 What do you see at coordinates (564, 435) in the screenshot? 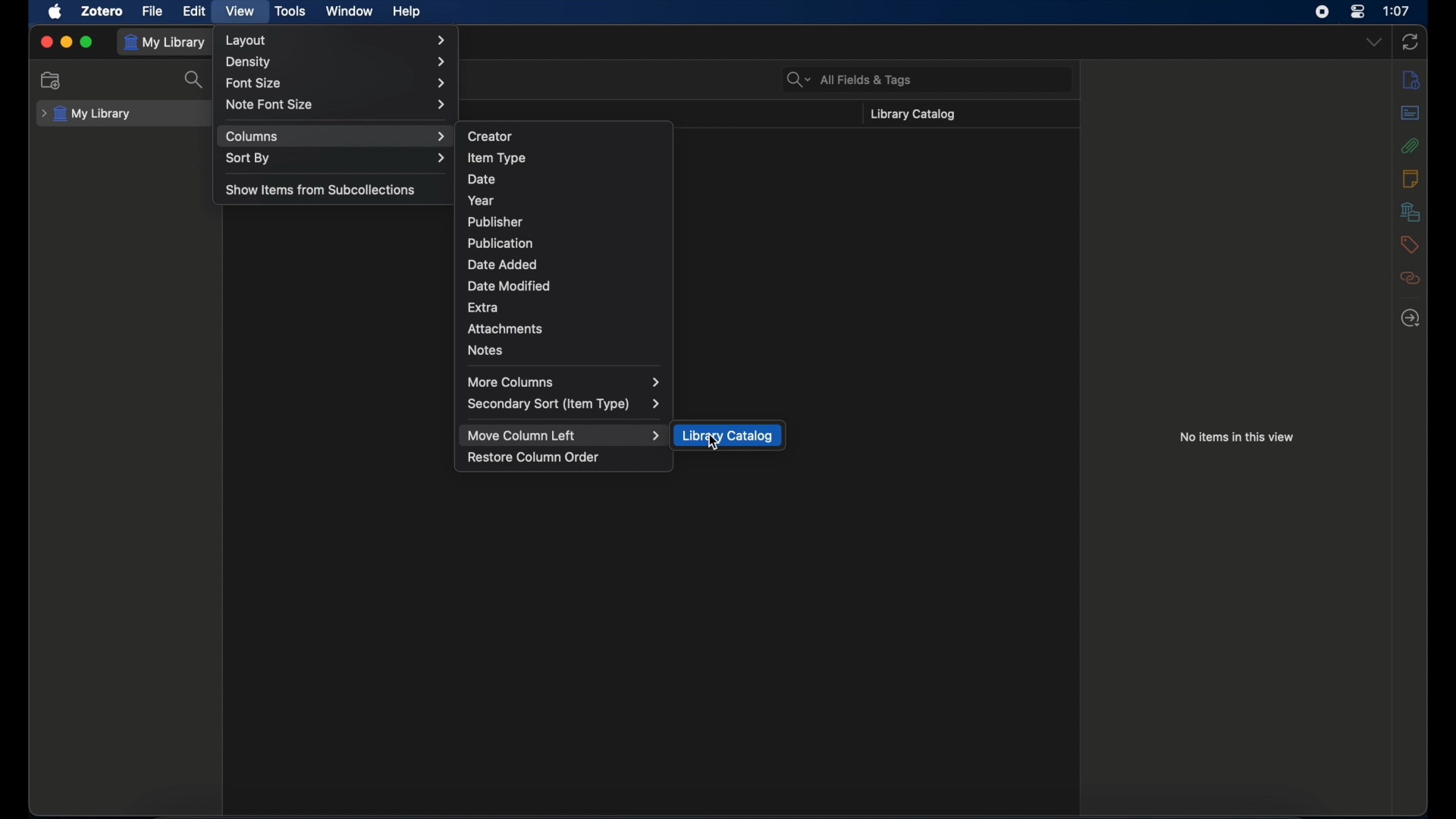
I see `move column left` at bounding box center [564, 435].